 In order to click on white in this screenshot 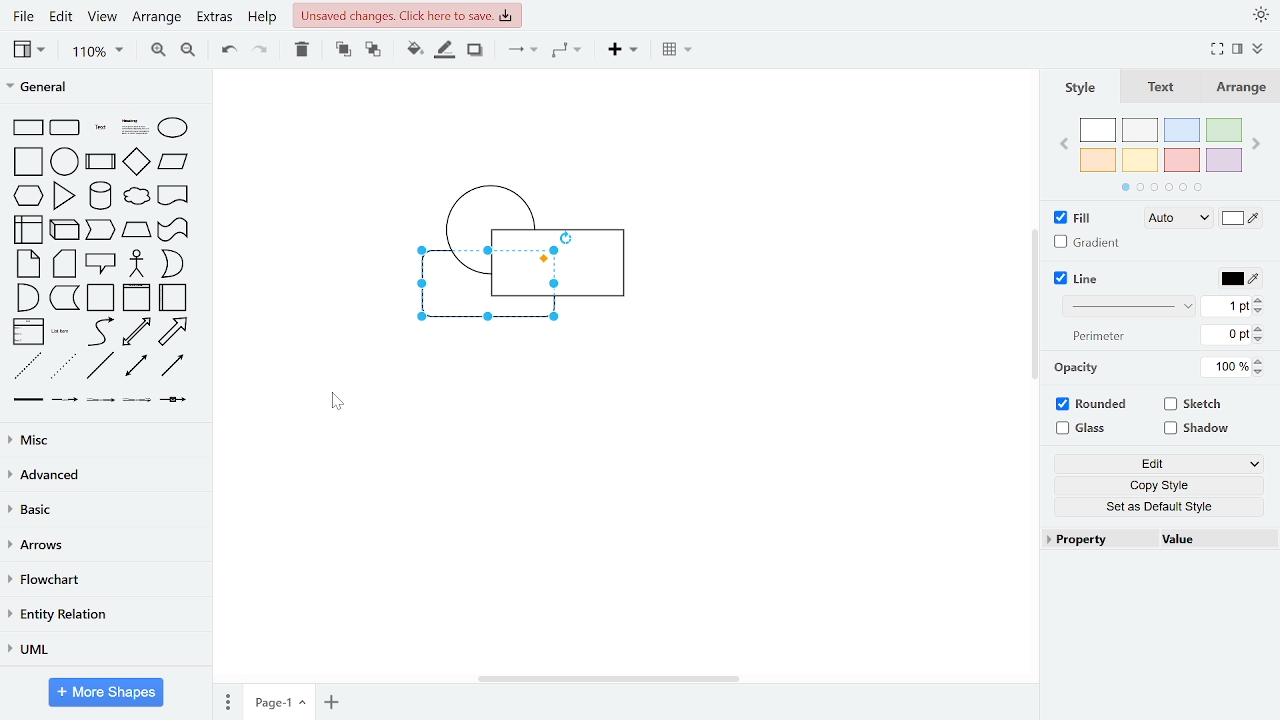, I will do `click(1098, 130)`.